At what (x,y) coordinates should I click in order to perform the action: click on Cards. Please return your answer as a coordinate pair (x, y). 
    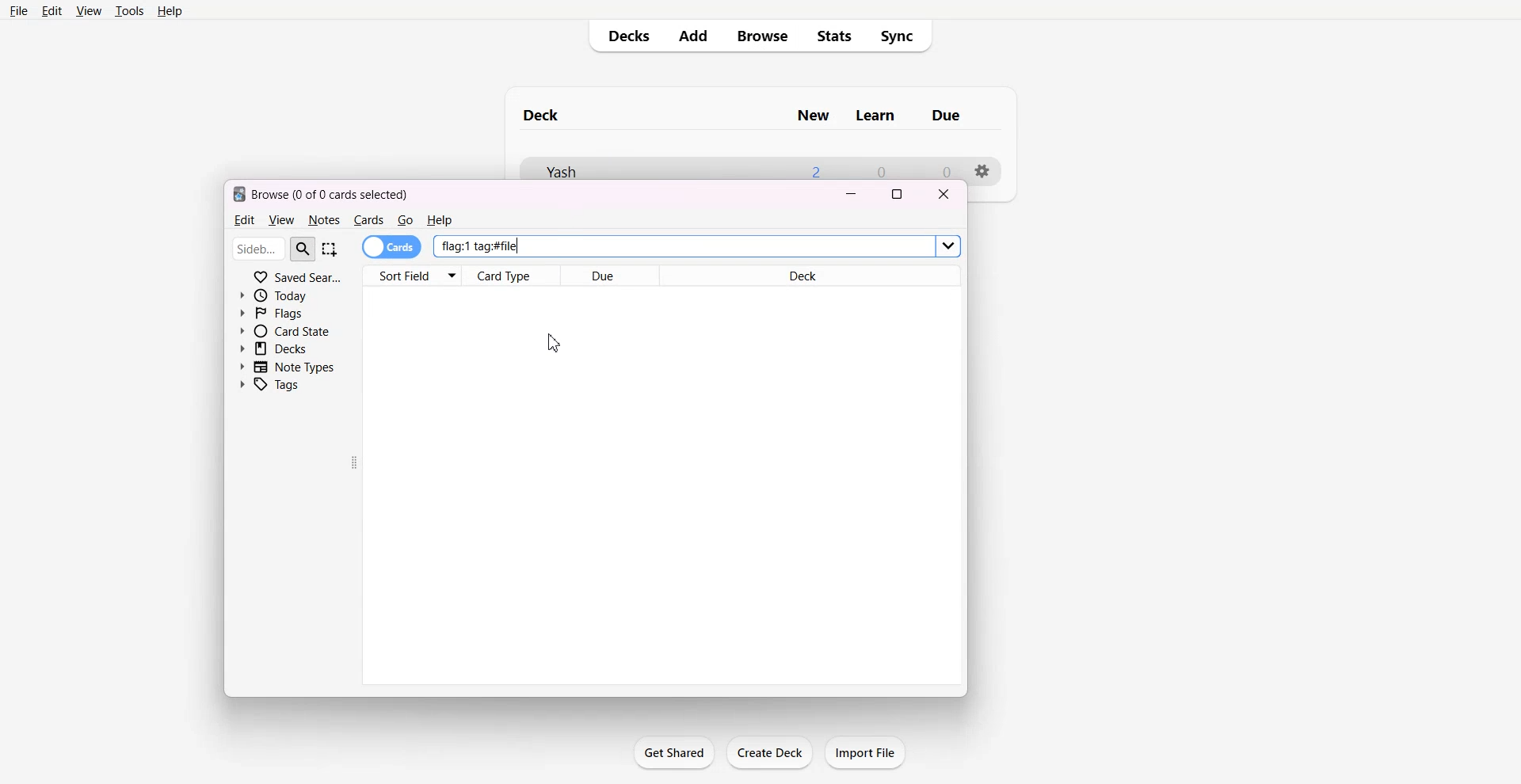
    Looking at the image, I should click on (392, 247).